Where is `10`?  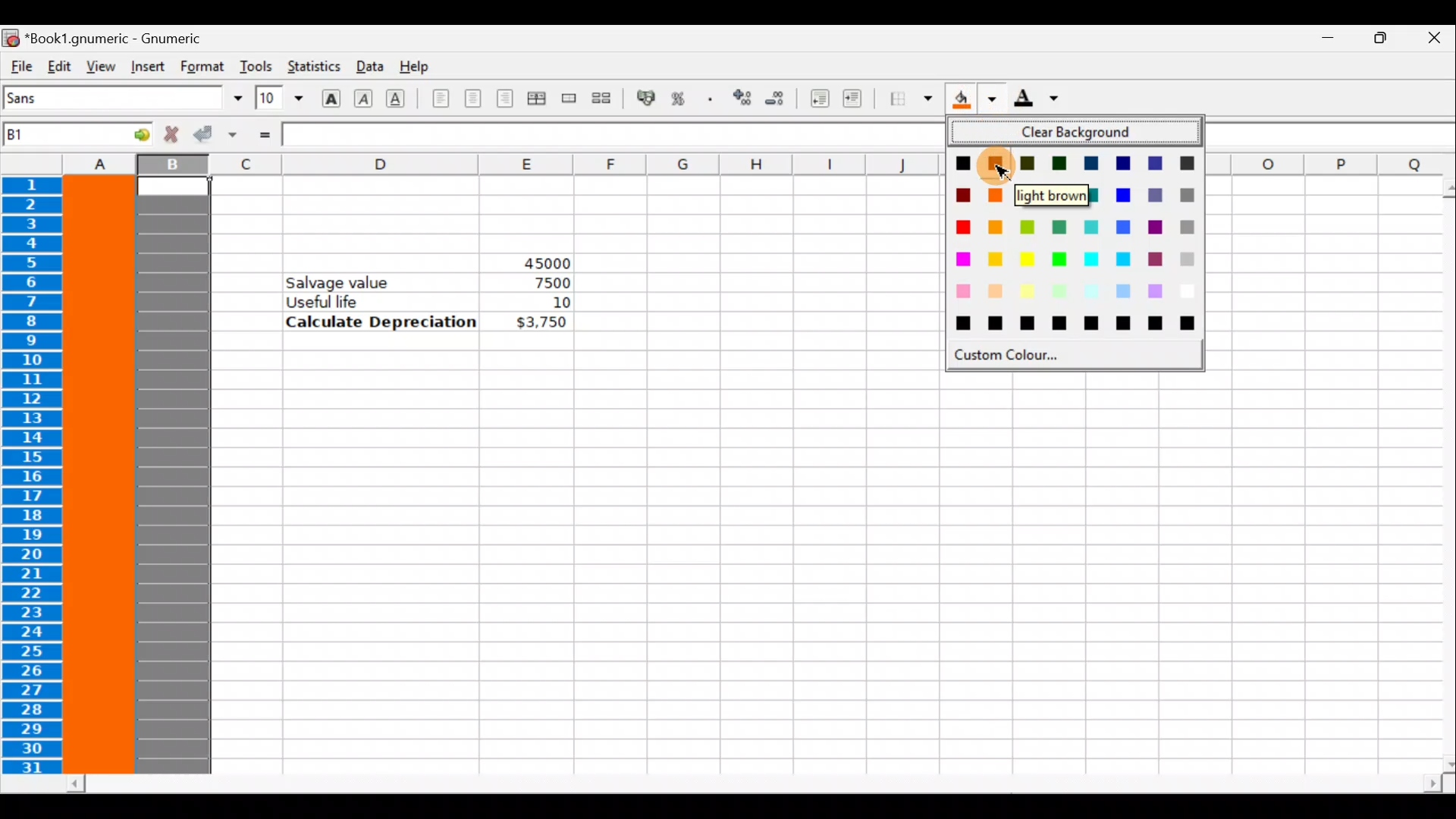 10 is located at coordinates (541, 303).